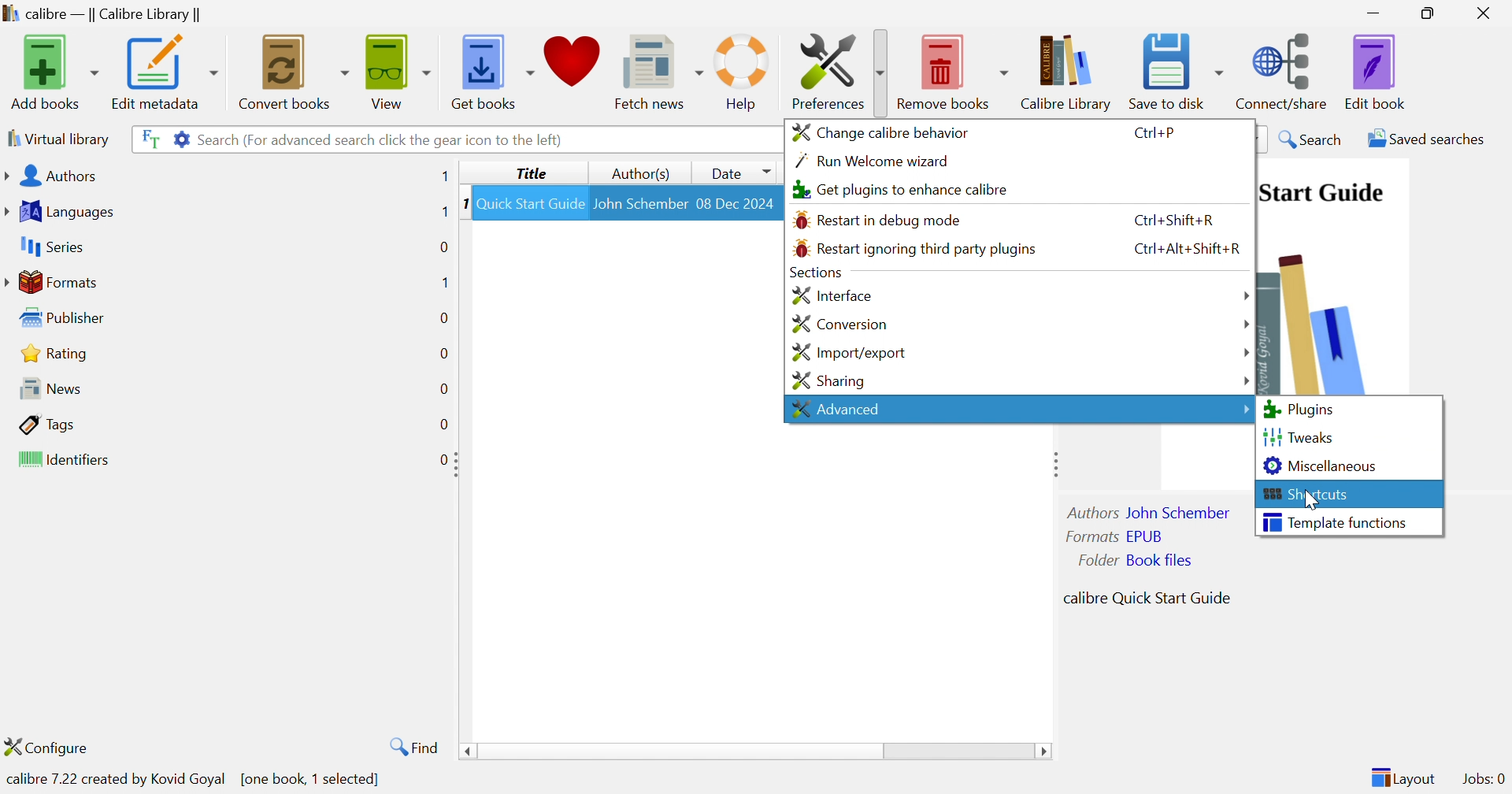  What do you see at coordinates (954, 69) in the screenshot?
I see `Remove books` at bounding box center [954, 69].